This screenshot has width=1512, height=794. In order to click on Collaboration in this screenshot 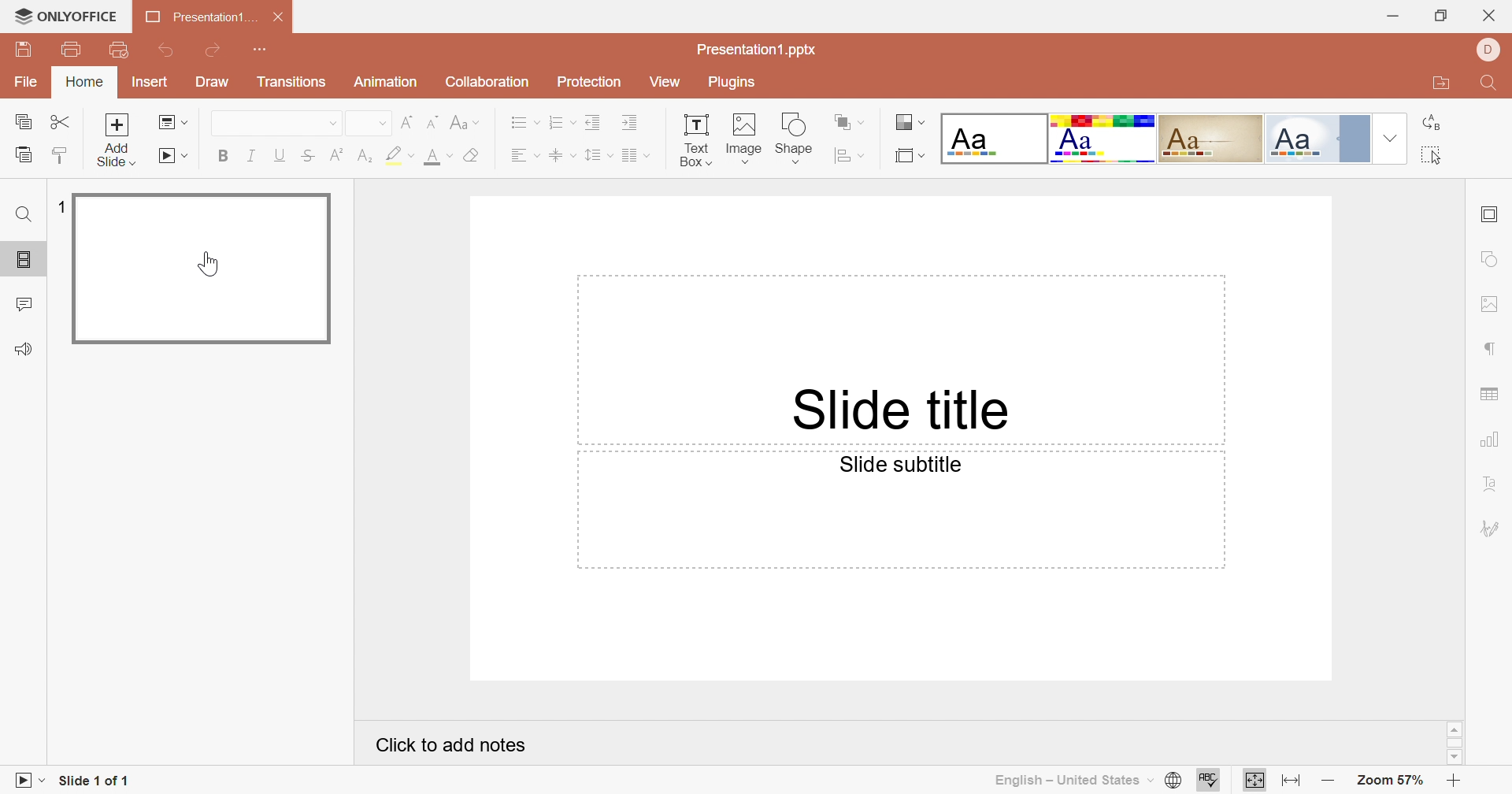, I will do `click(486, 83)`.